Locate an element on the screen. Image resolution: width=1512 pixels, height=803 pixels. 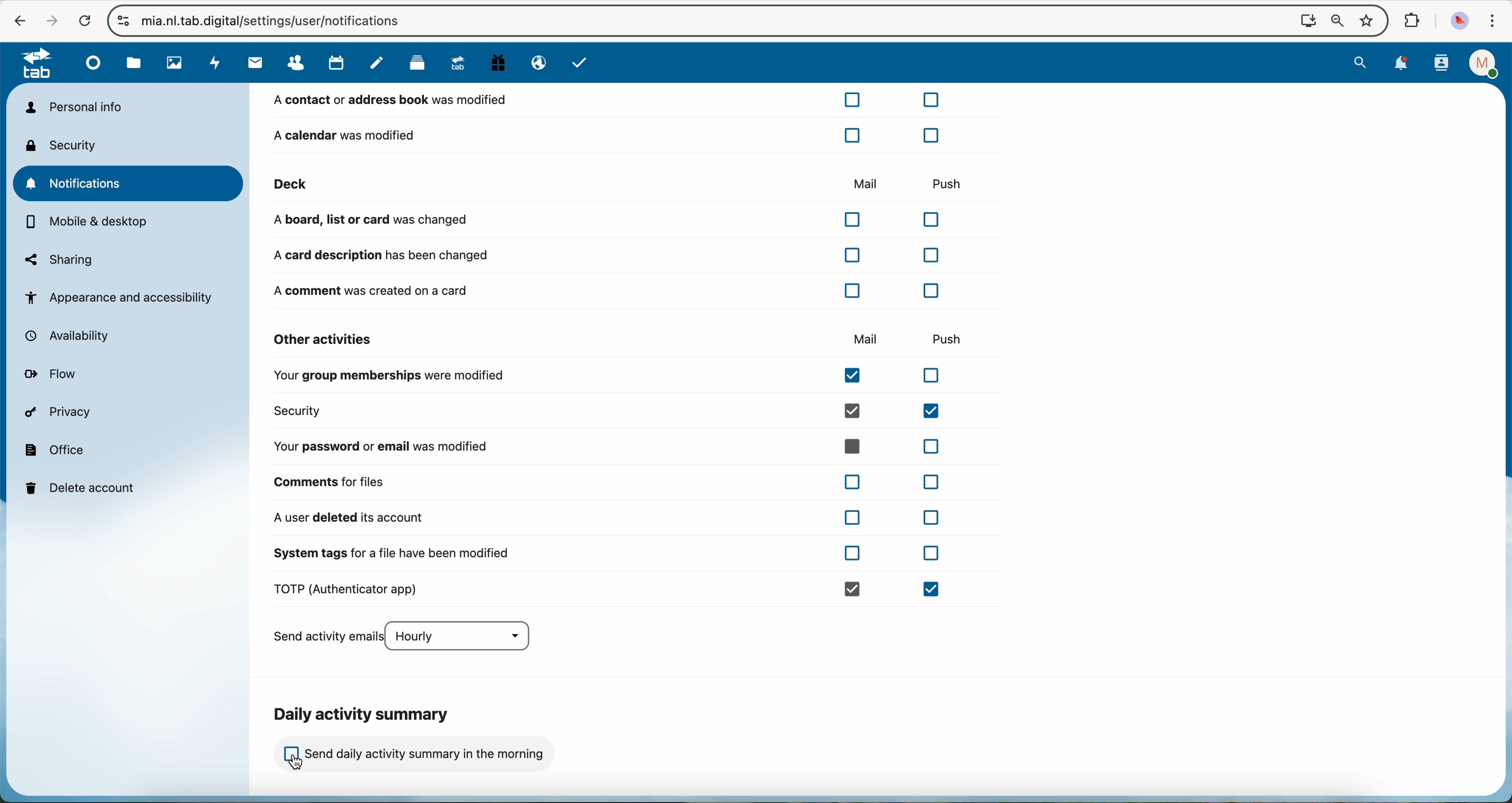
sharing is located at coordinates (59, 259).